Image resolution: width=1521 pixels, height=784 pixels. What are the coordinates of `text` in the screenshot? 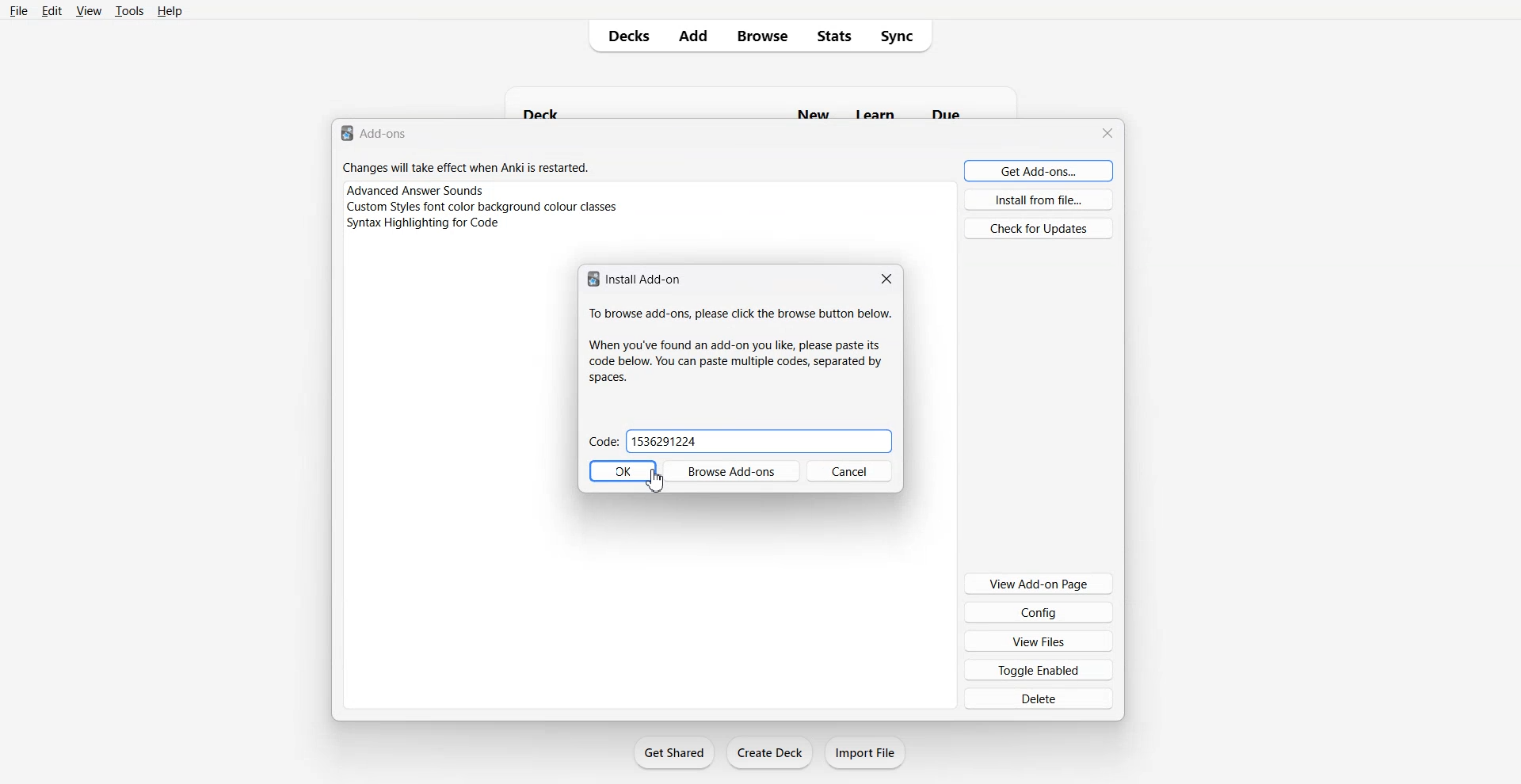 It's located at (737, 359).